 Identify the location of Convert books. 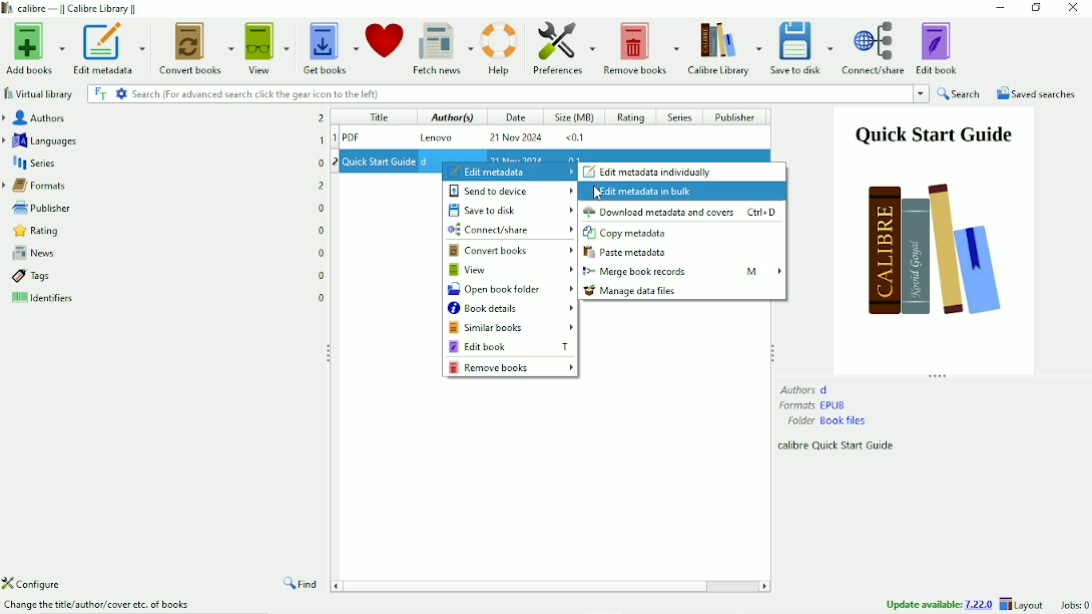
(512, 251).